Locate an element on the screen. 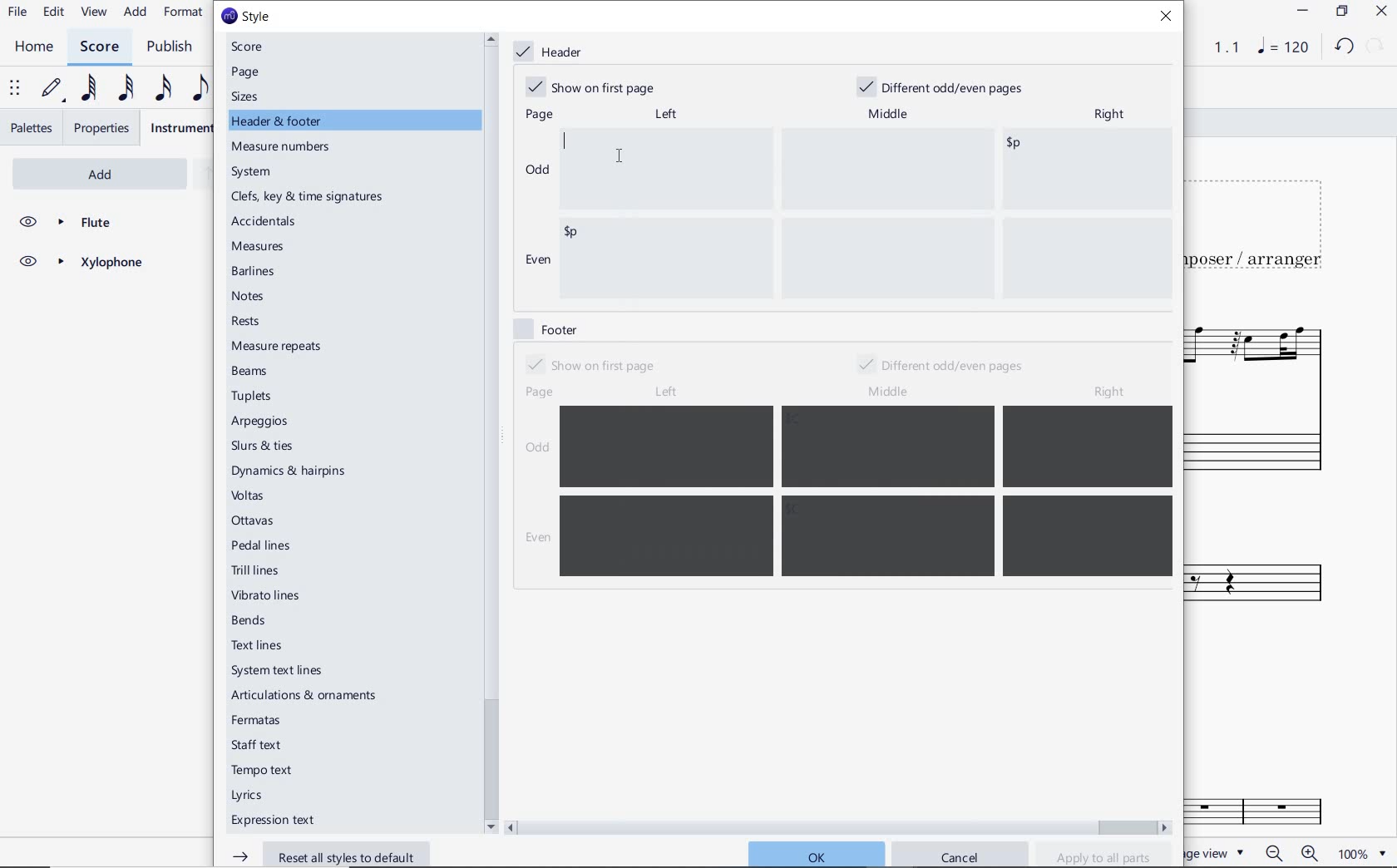 This screenshot has height=868, width=1397. dynamics & hairpins is located at coordinates (292, 471).